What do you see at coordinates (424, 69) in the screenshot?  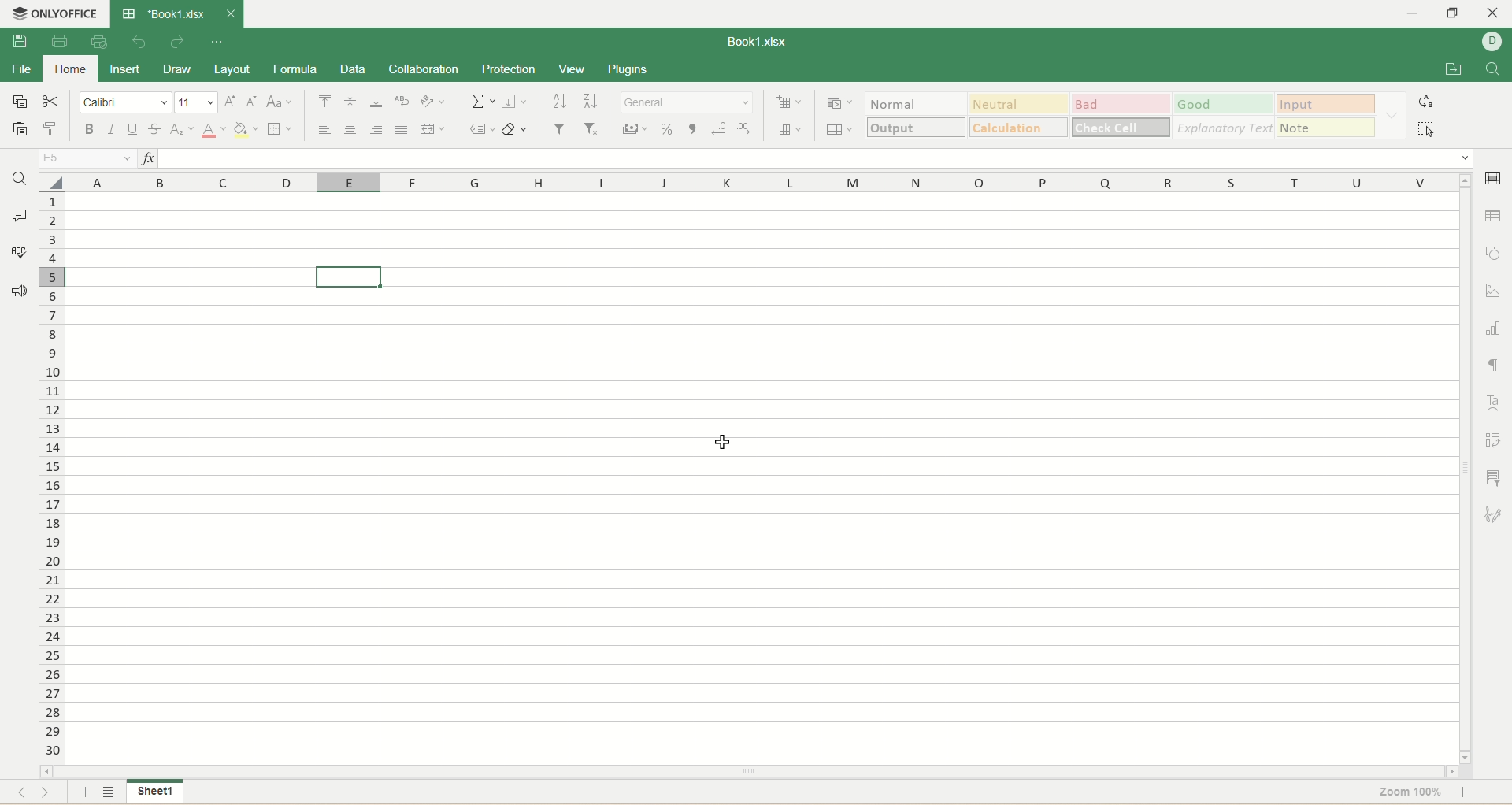 I see `collaboration` at bounding box center [424, 69].